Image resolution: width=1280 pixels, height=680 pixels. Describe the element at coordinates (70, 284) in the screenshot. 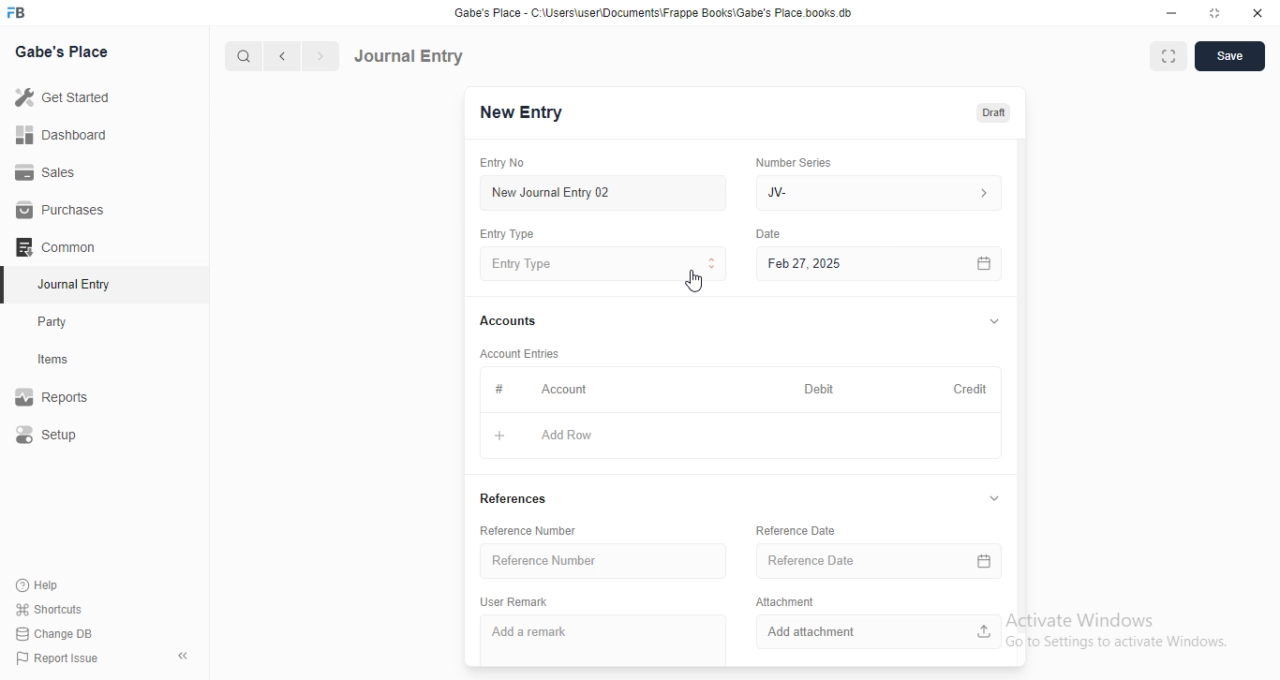

I see `Journal Entry` at that location.